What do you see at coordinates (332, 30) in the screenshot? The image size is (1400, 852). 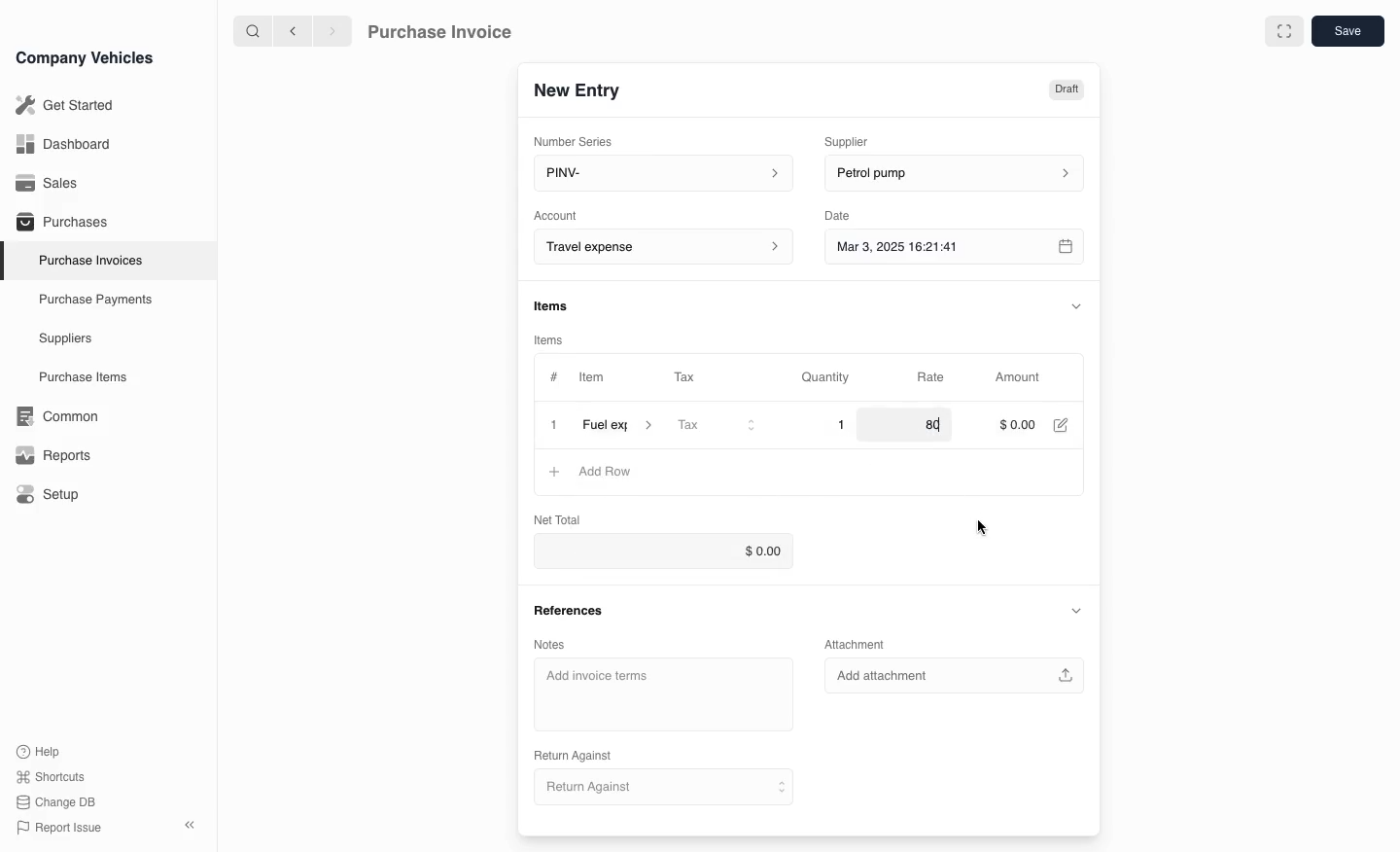 I see `next` at bounding box center [332, 30].